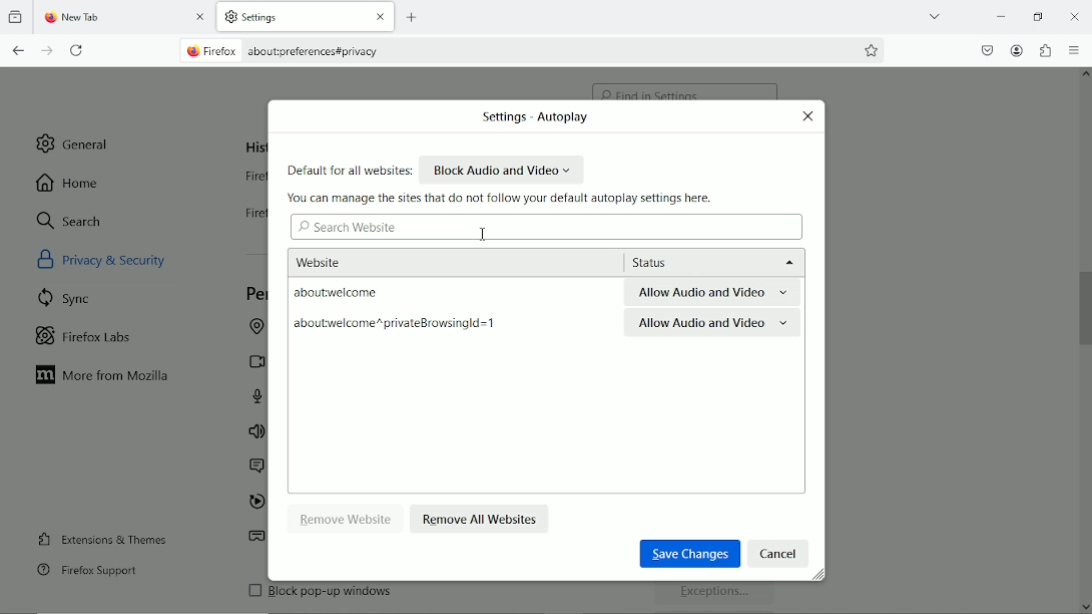 The width and height of the screenshot is (1092, 614). Describe the element at coordinates (1045, 50) in the screenshot. I see `extensions` at that location.